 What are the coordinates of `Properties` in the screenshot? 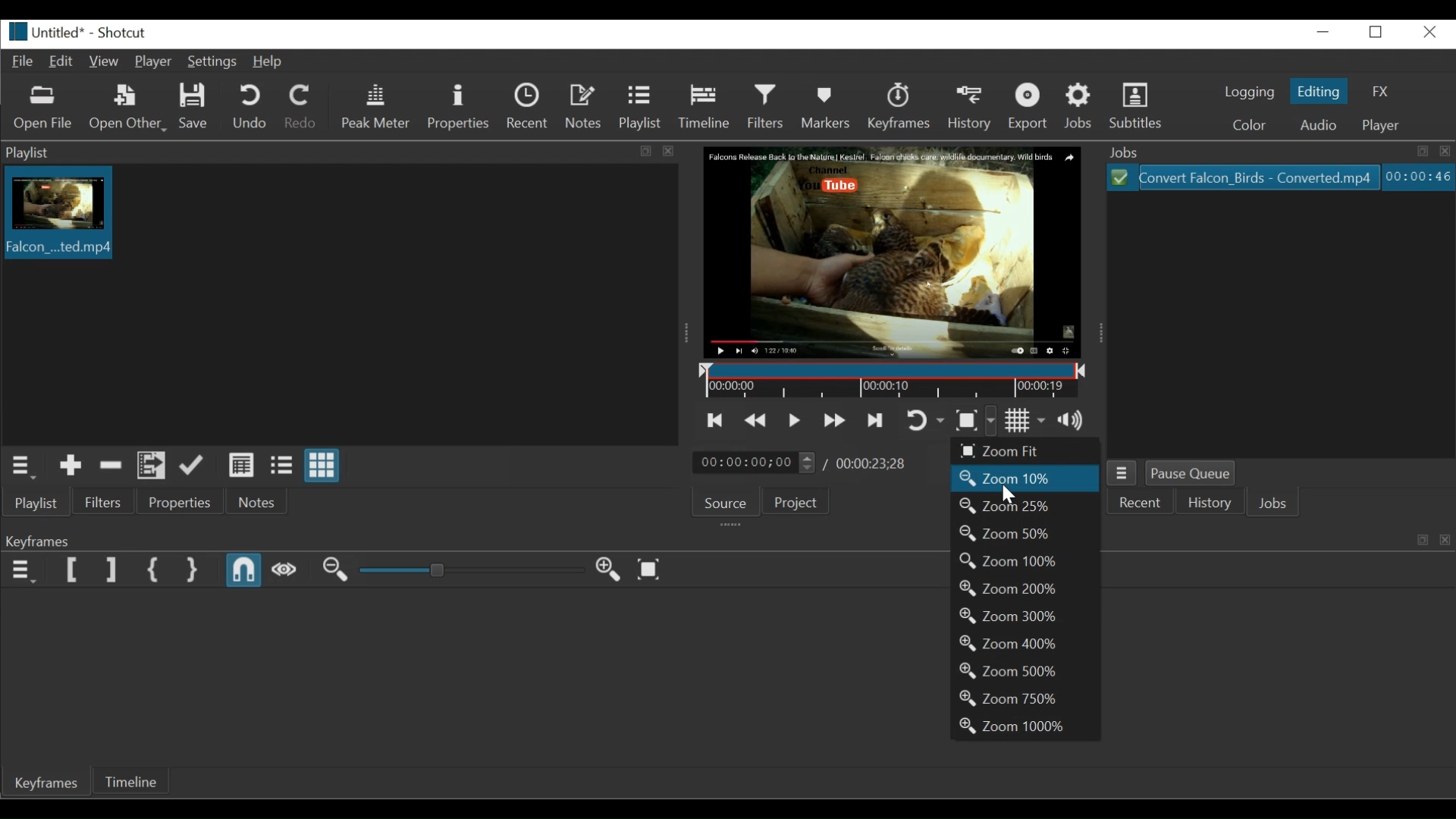 It's located at (180, 500).